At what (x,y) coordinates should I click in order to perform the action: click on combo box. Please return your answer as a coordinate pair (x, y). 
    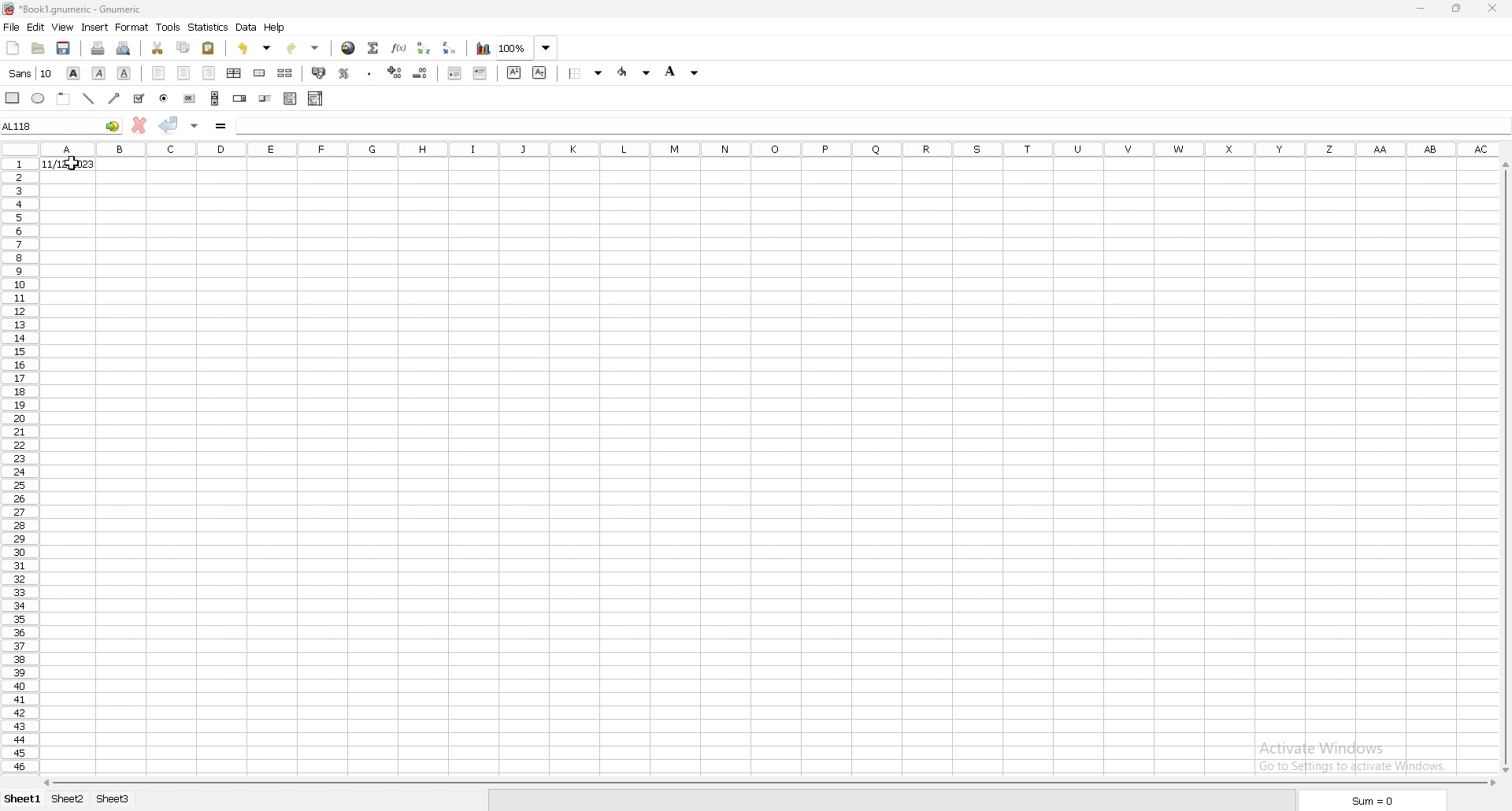
    Looking at the image, I should click on (317, 98).